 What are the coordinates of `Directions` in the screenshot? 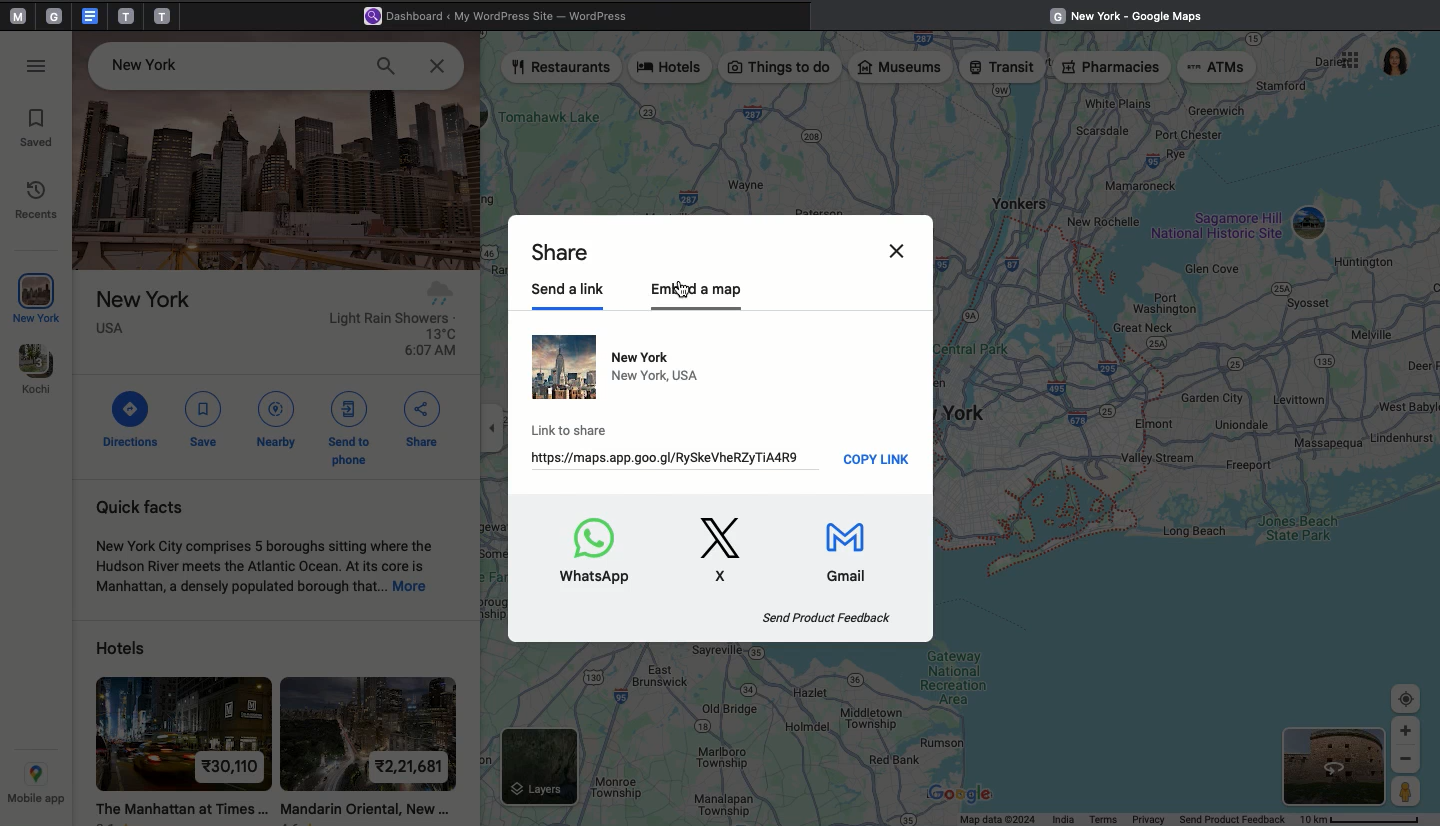 It's located at (133, 418).